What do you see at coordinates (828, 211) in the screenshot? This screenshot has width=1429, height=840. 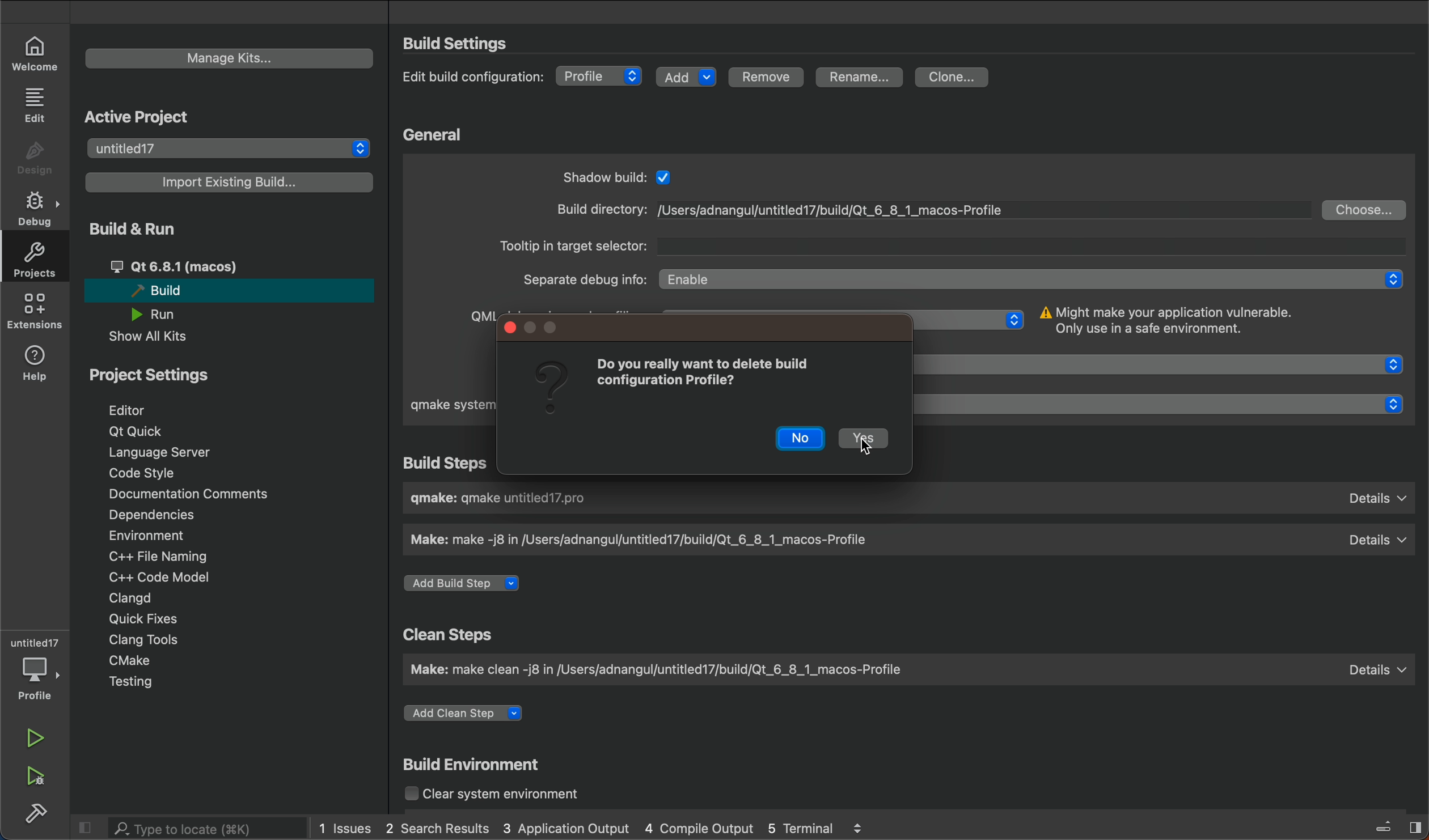 I see `file path` at bounding box center [828, 211].